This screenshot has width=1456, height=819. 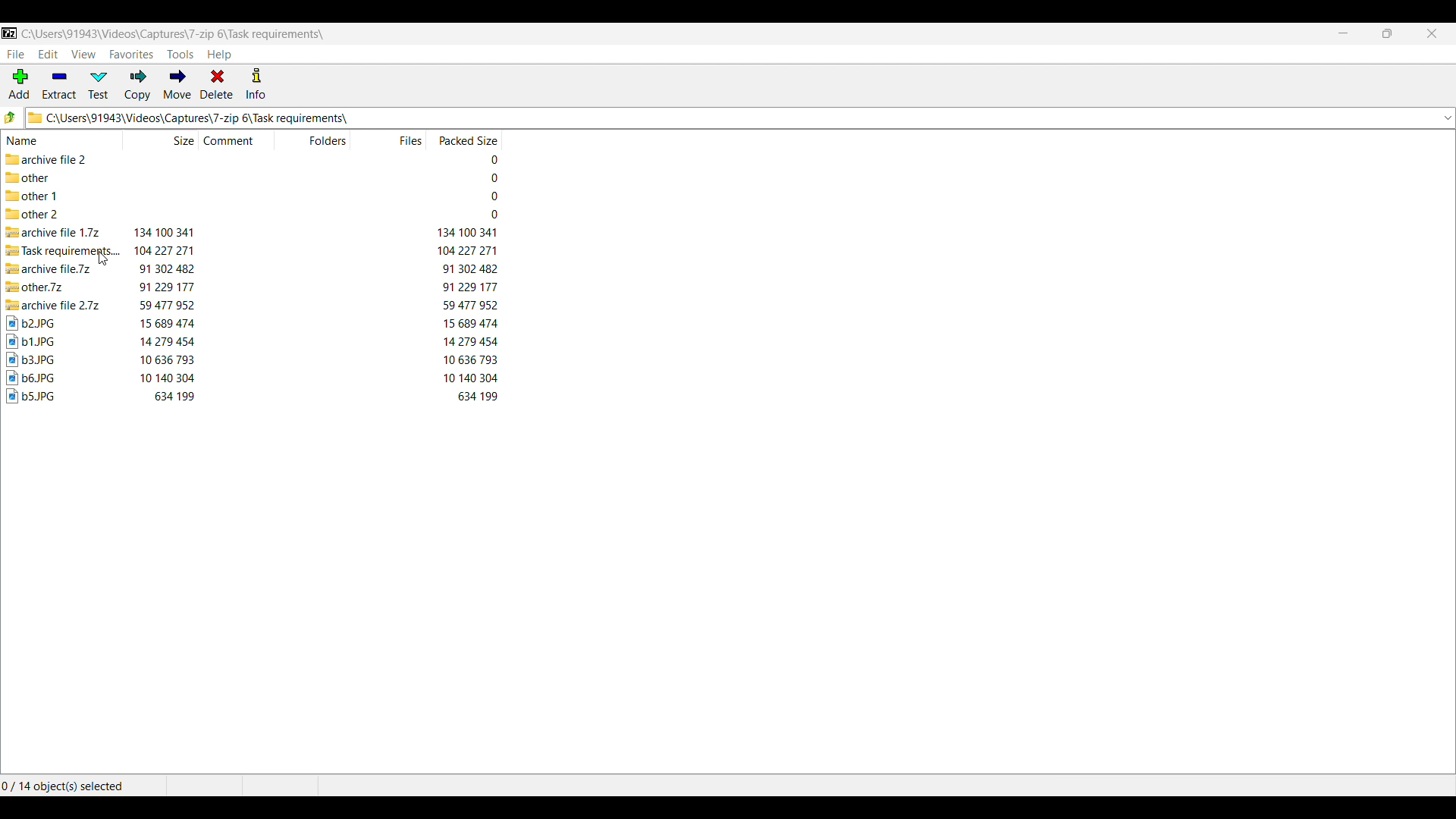 What do you see at coordinates (165, 268) in the screenshot?
I see `size` at bounding box center [165, 268].